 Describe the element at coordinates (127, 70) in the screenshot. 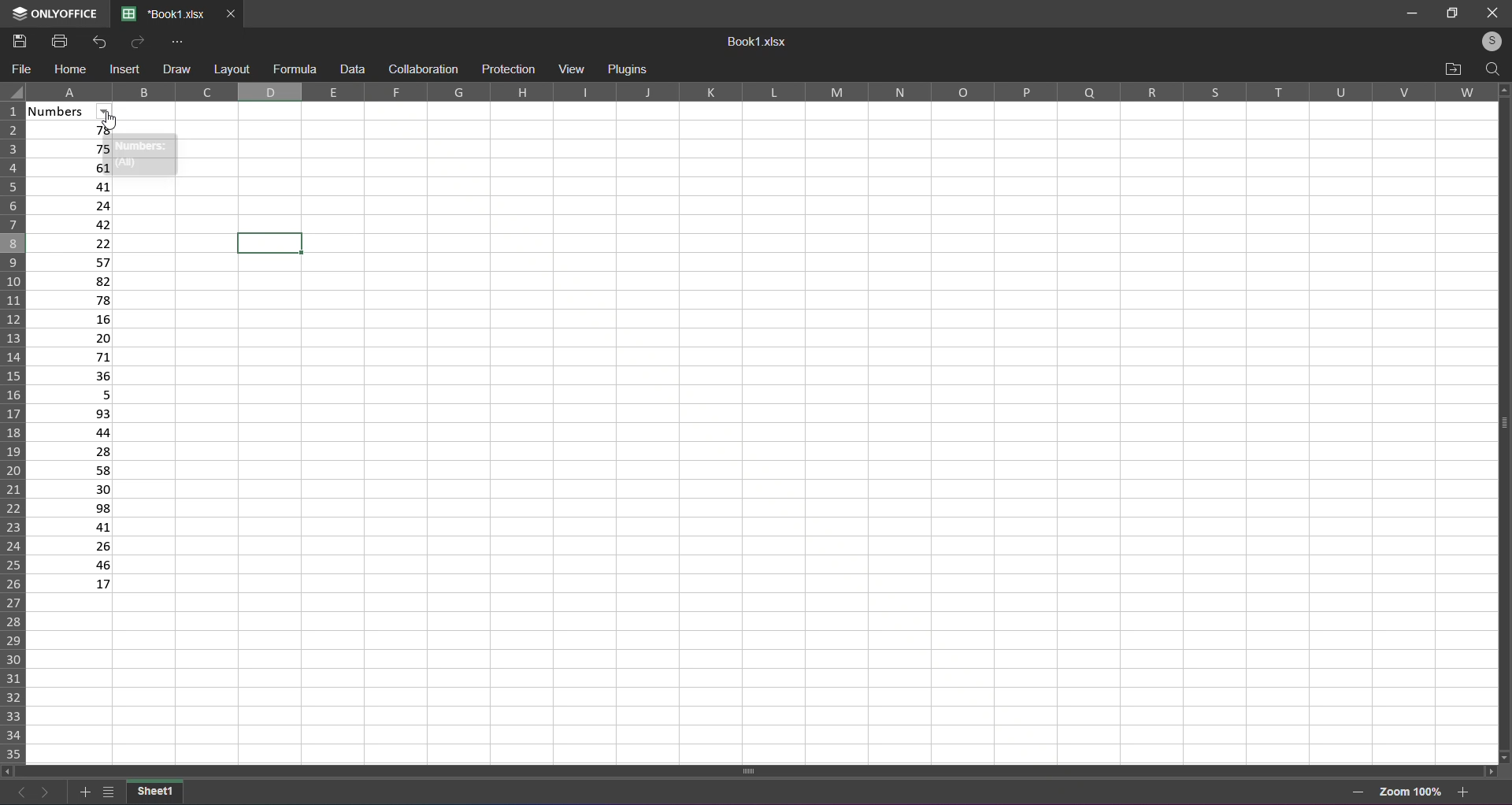

I see `insert` at that location.